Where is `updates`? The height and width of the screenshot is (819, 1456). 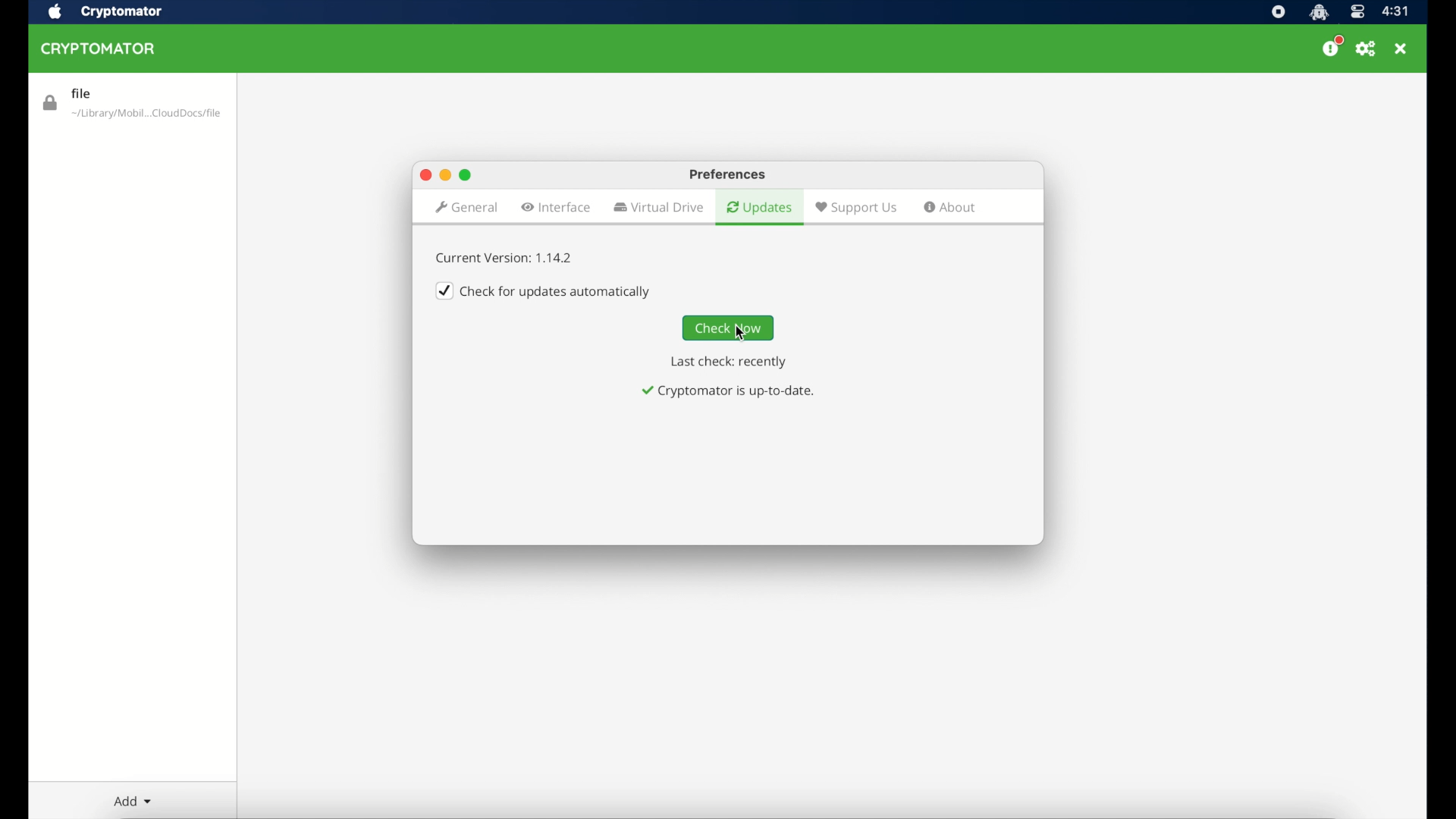 updates is located at coordinates (759, 207).